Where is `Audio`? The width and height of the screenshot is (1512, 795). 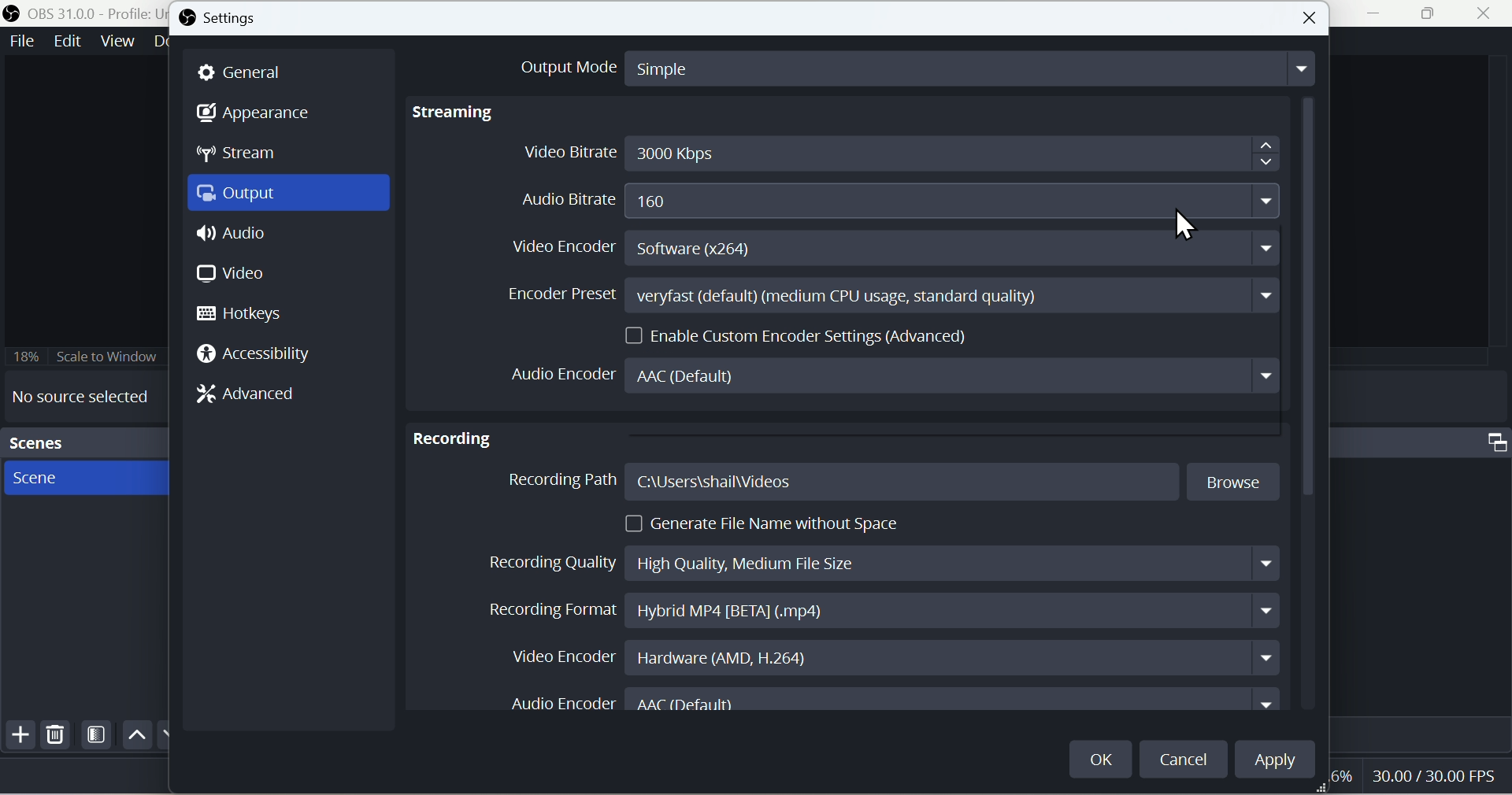 Audio is located at coordinates (235, 238).